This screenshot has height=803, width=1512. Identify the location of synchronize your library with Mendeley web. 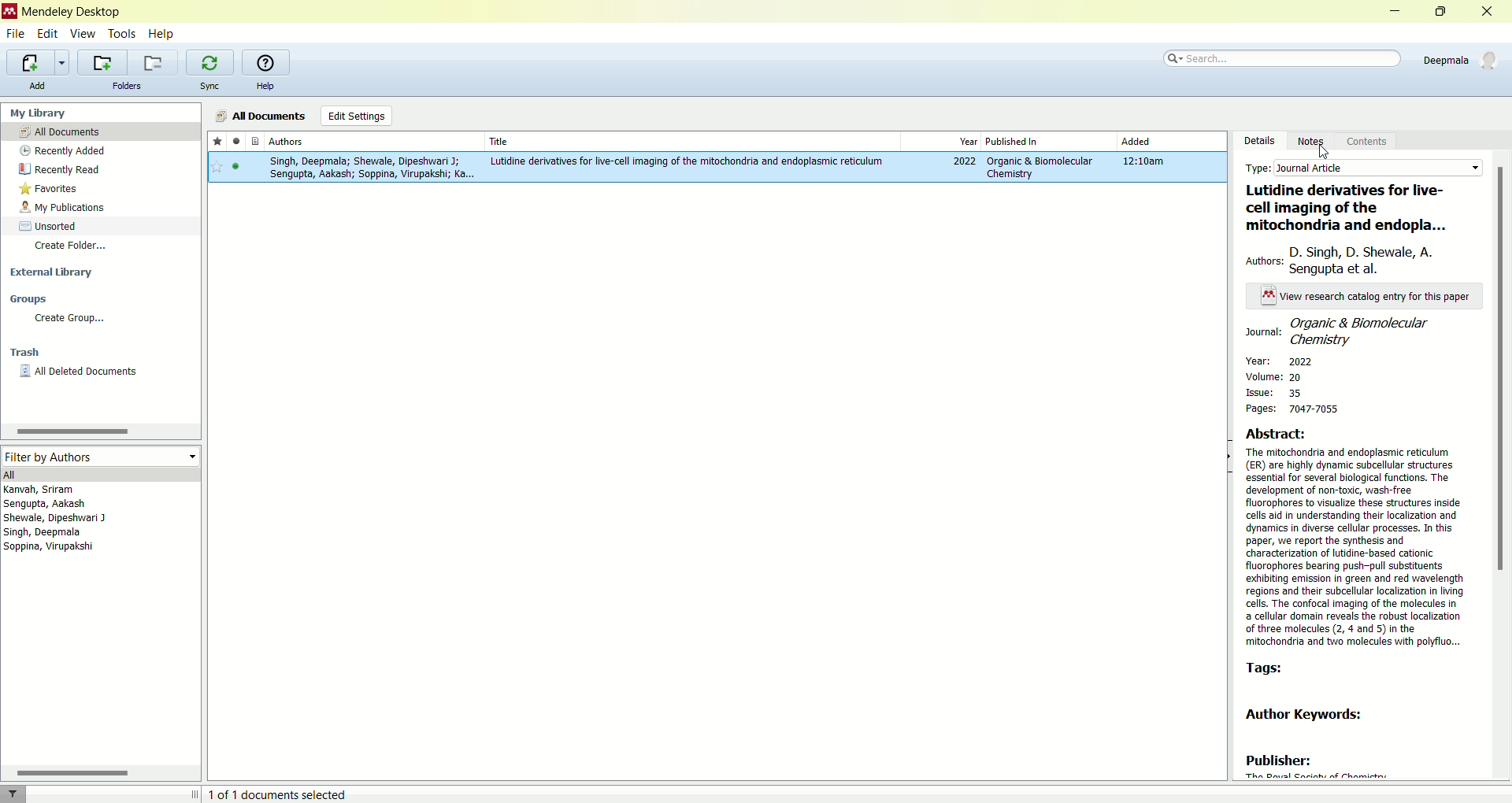
(212, 62).